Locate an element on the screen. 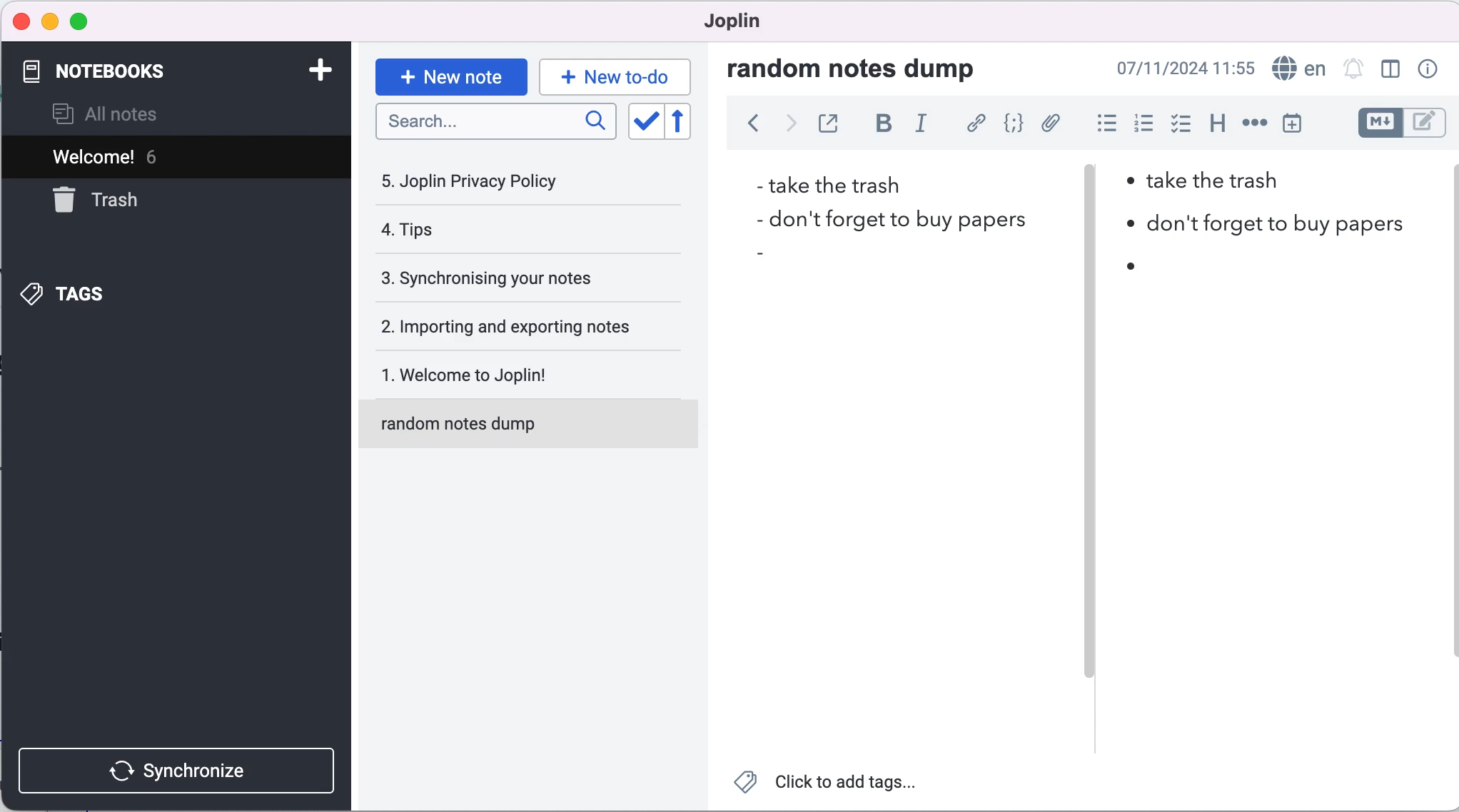 The width and height of the screenshot is (1459, 812). attach file is located at coordinates (1049, 125).